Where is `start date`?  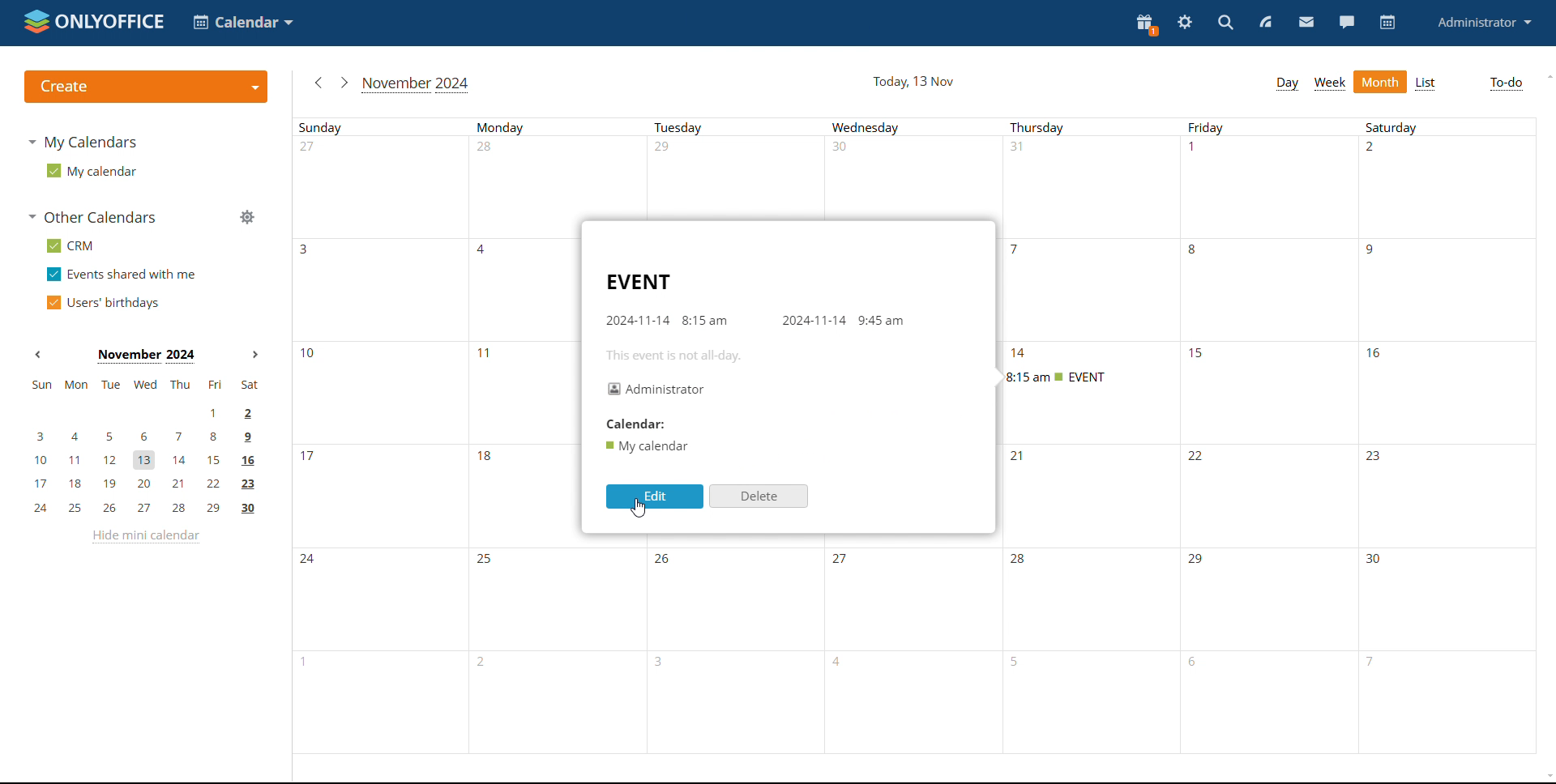 start date is located at coordinates (636, 319).